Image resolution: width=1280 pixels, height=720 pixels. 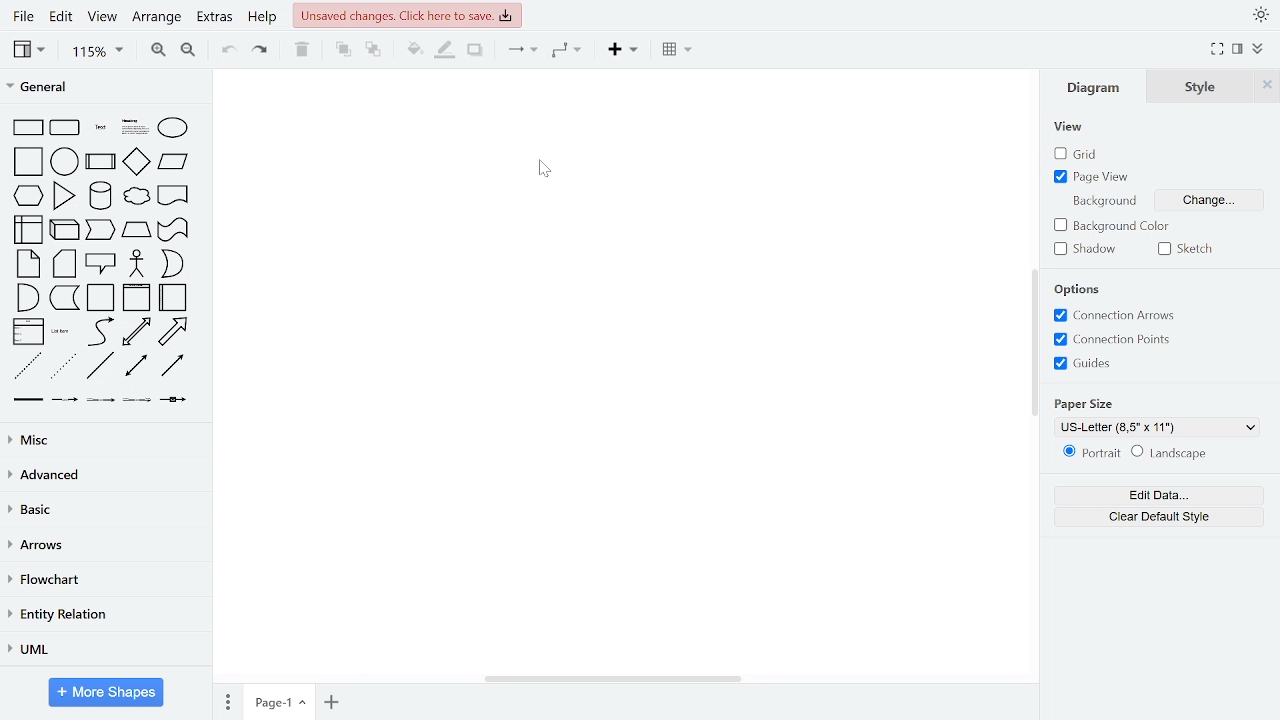 I want to click on to back, so click(x=372, y=52).